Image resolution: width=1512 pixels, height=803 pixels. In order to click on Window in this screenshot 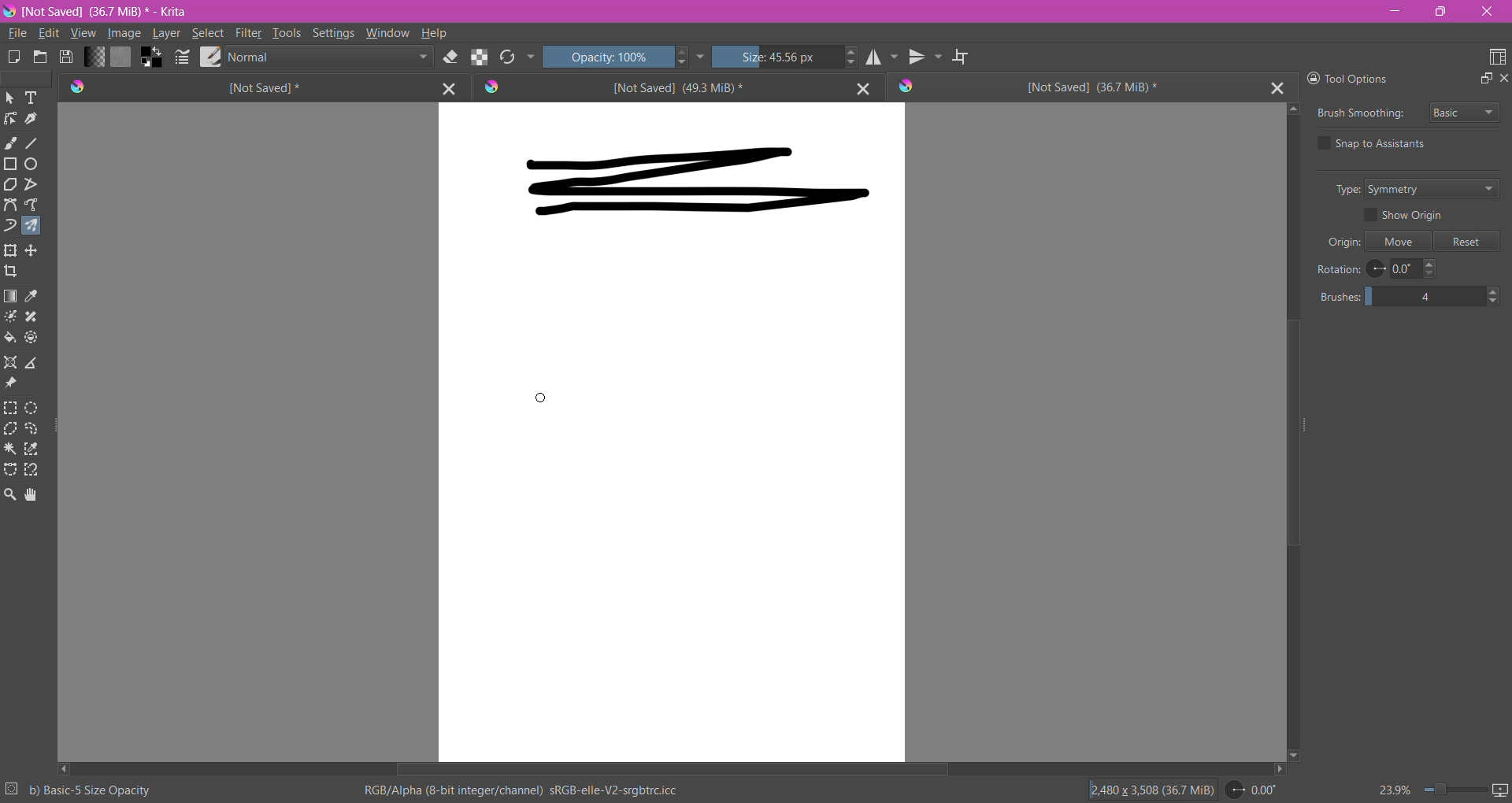, I will do `click(388, 32)`.